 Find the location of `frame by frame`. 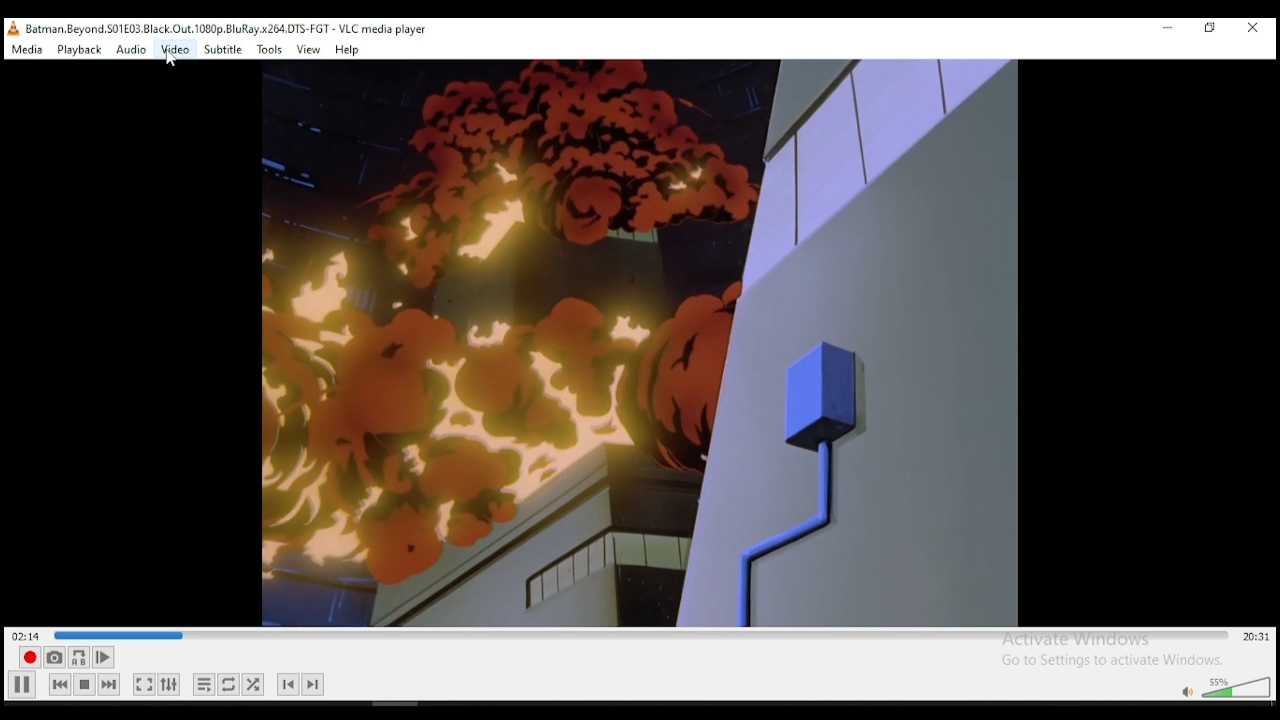

frame by frame is located at coordinates (104, 658).